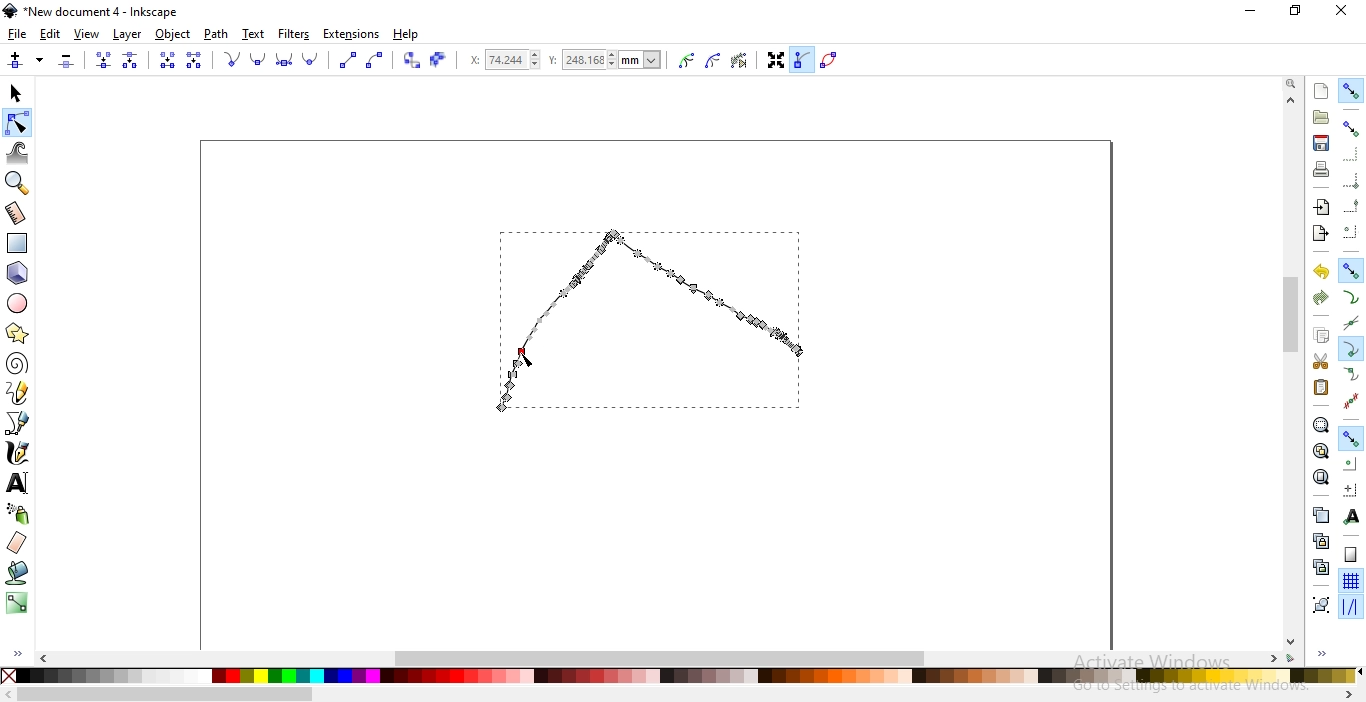  I want to click on cursor, so click(529, 359).